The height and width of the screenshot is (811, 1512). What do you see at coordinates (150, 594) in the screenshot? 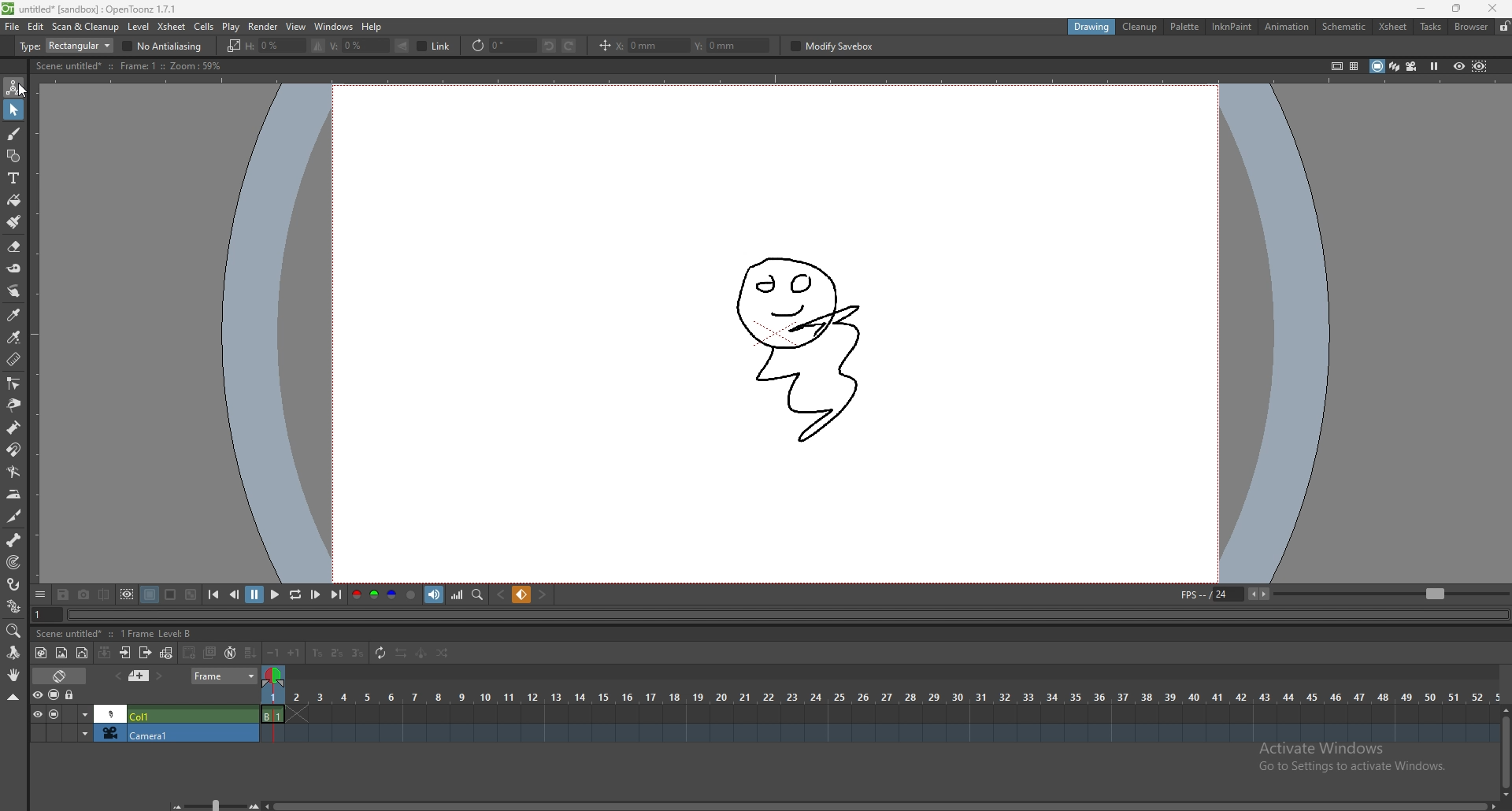
I see `black background` at bounding box center [150, 594].